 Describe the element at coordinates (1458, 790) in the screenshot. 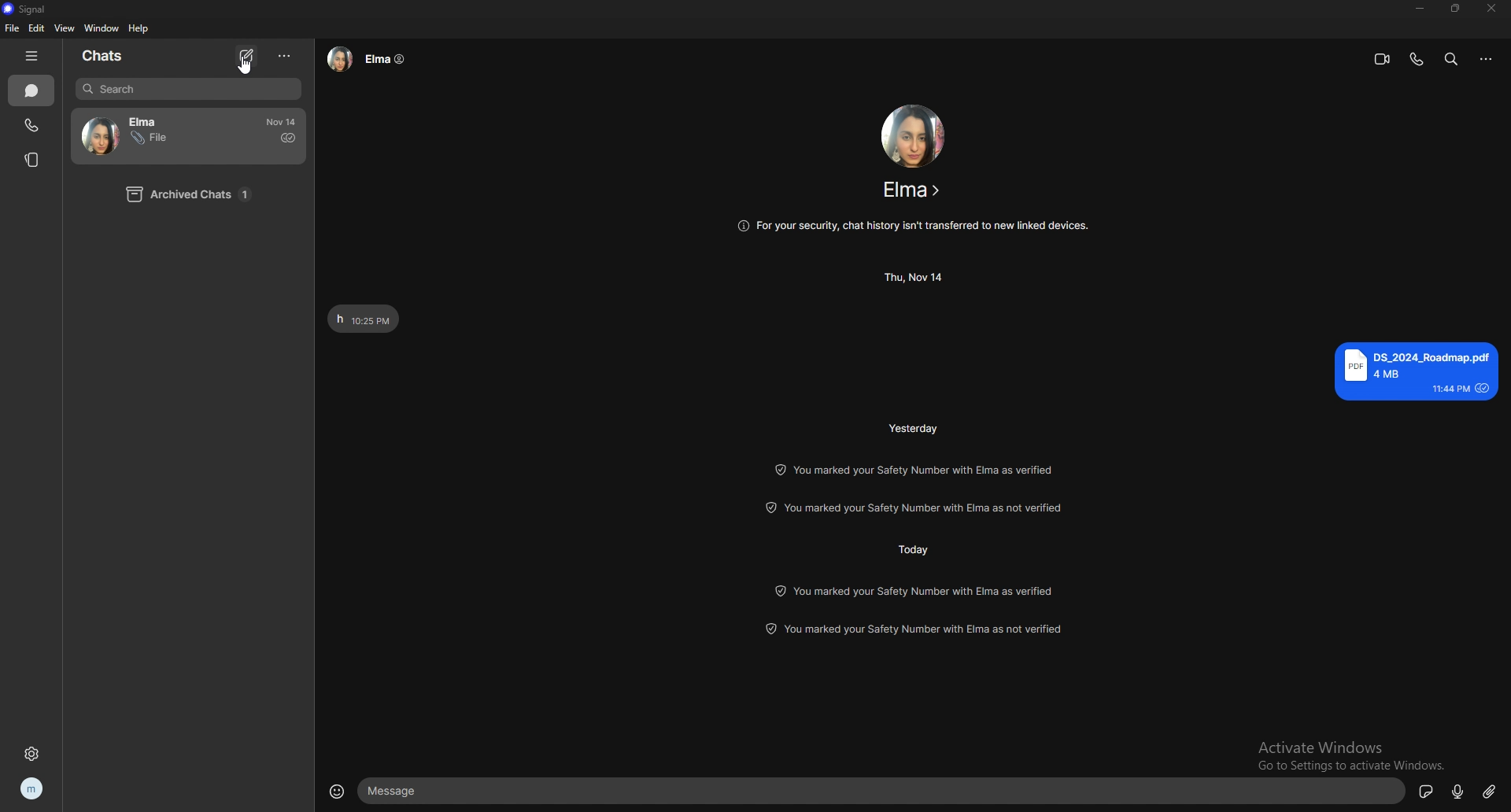

I see `voice message` at that location.